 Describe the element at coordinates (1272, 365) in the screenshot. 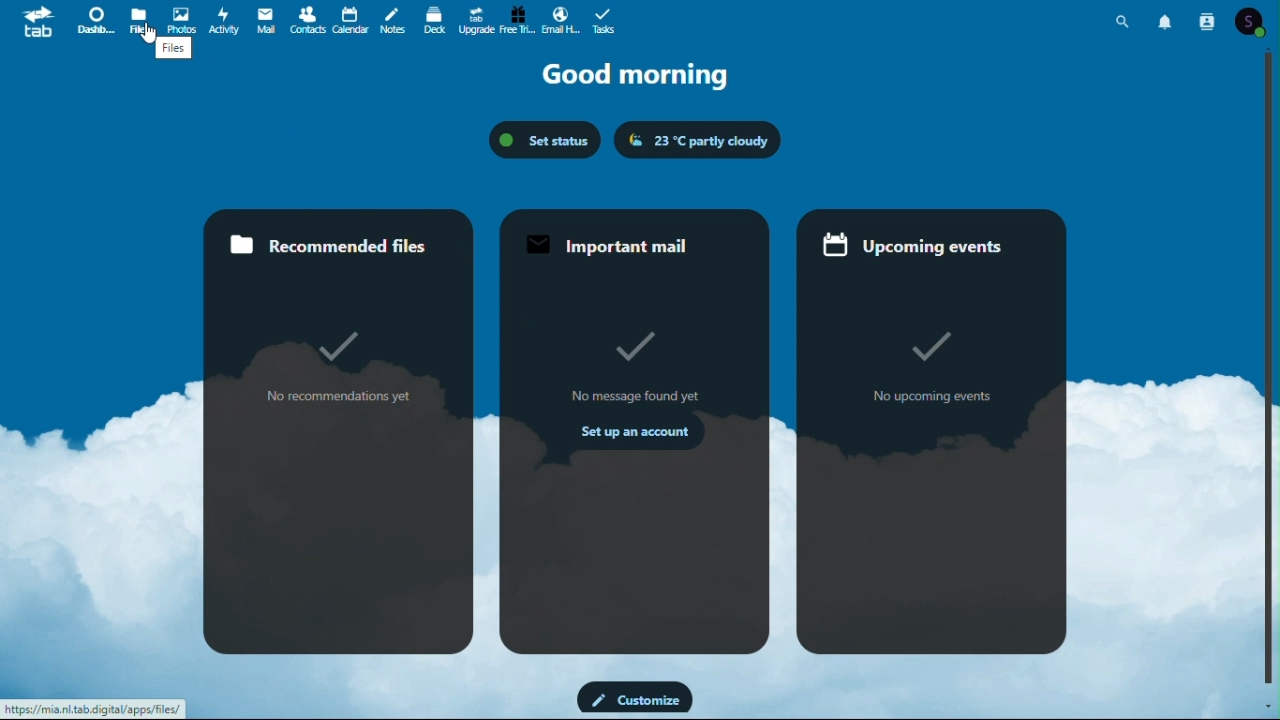

I see `Vertical scroll bar` at that location.